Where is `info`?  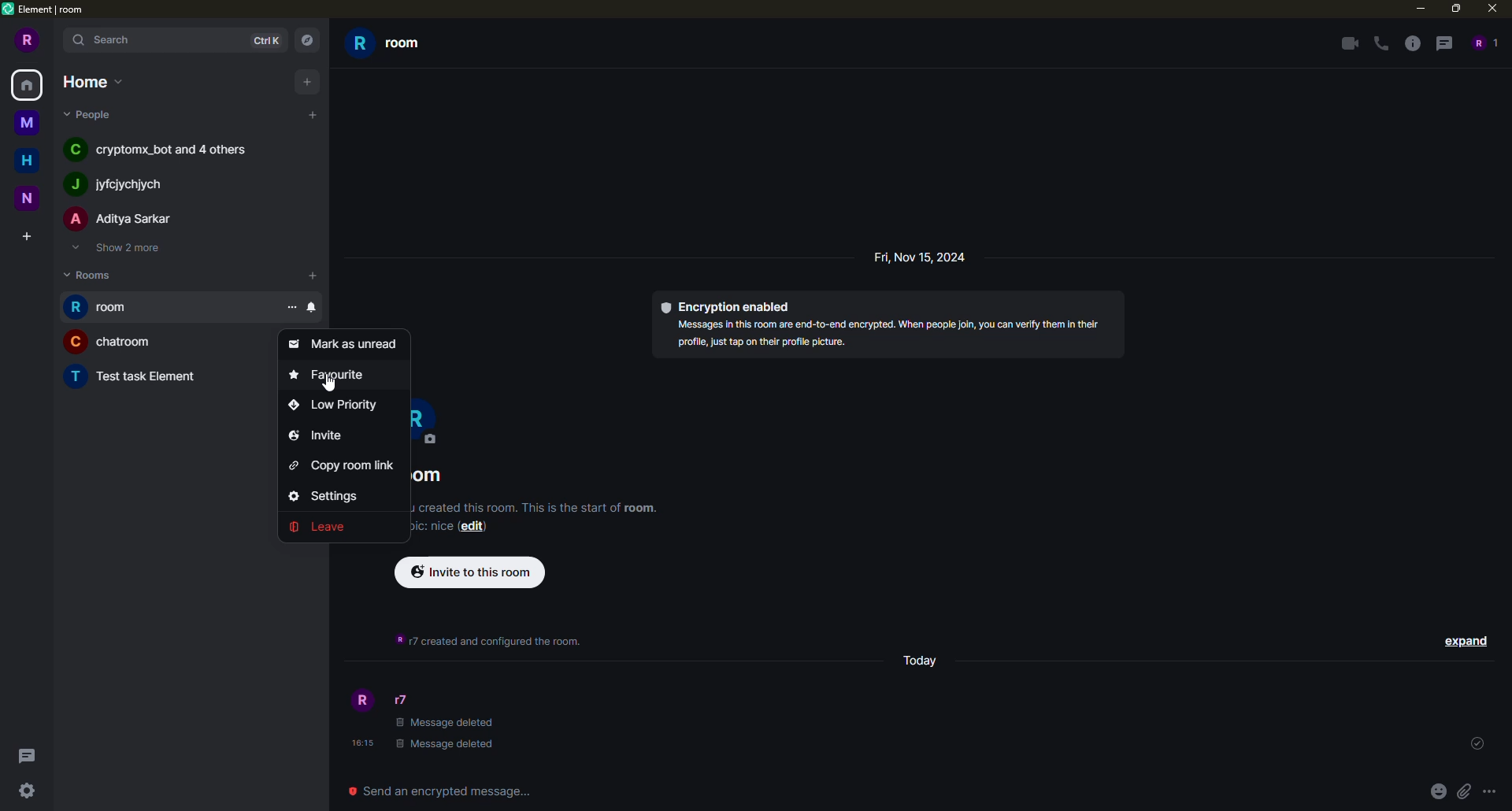 info is located at coordinates (482, 640).